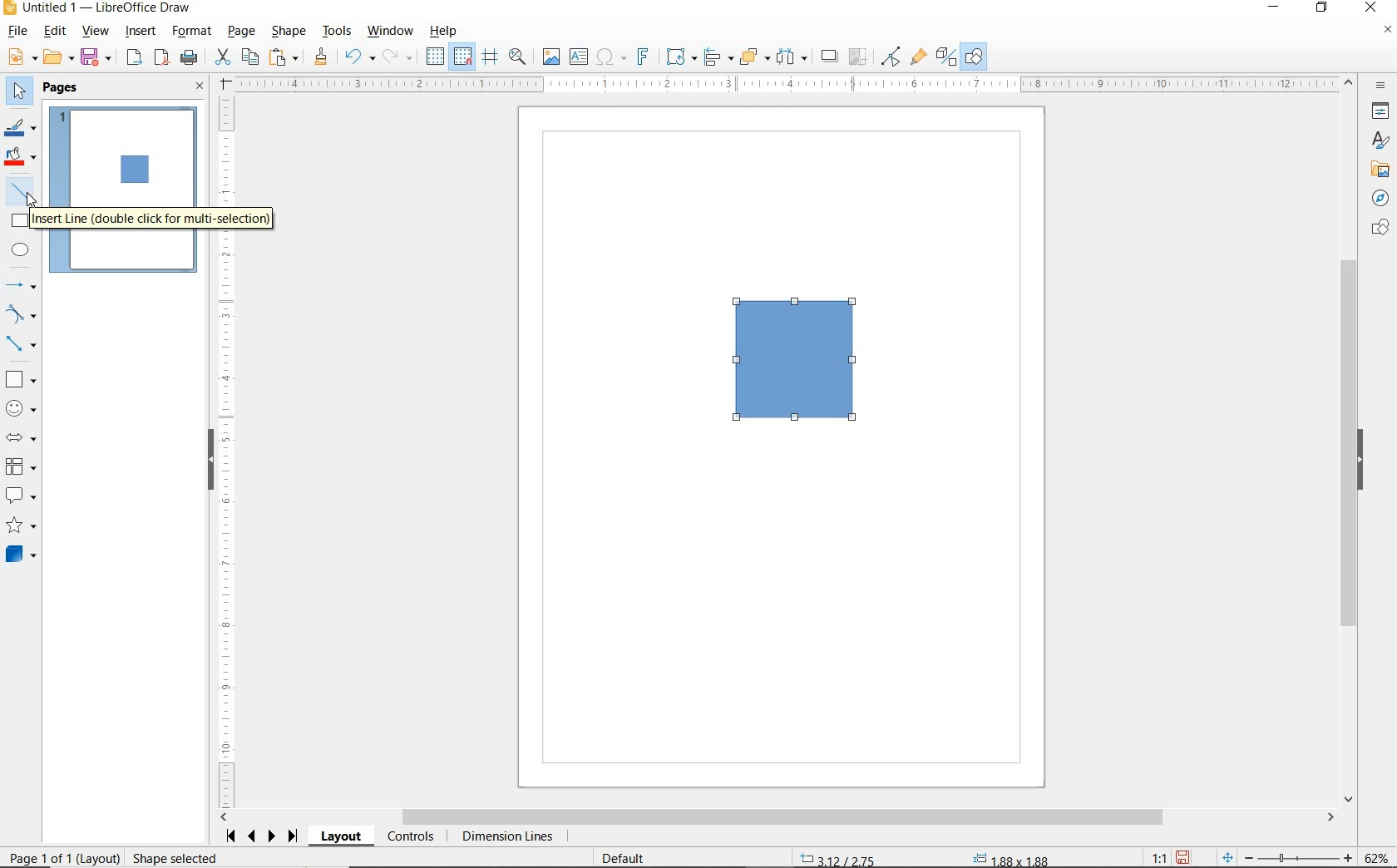  I want to click on ZOOM & PAN, so click(518, 57).